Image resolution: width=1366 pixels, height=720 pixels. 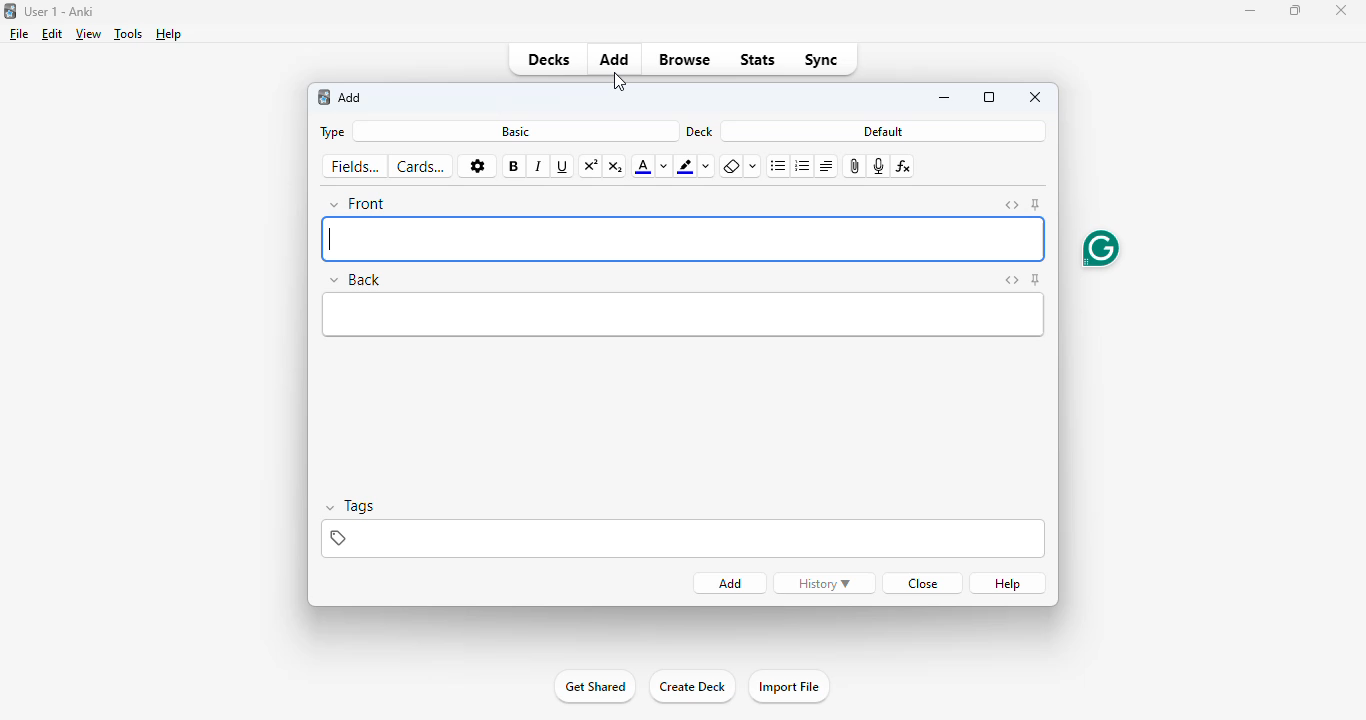 What do you see at coordinates (356, 167) in the screenshot?
I see `fields` at bounding box center [356, 167].